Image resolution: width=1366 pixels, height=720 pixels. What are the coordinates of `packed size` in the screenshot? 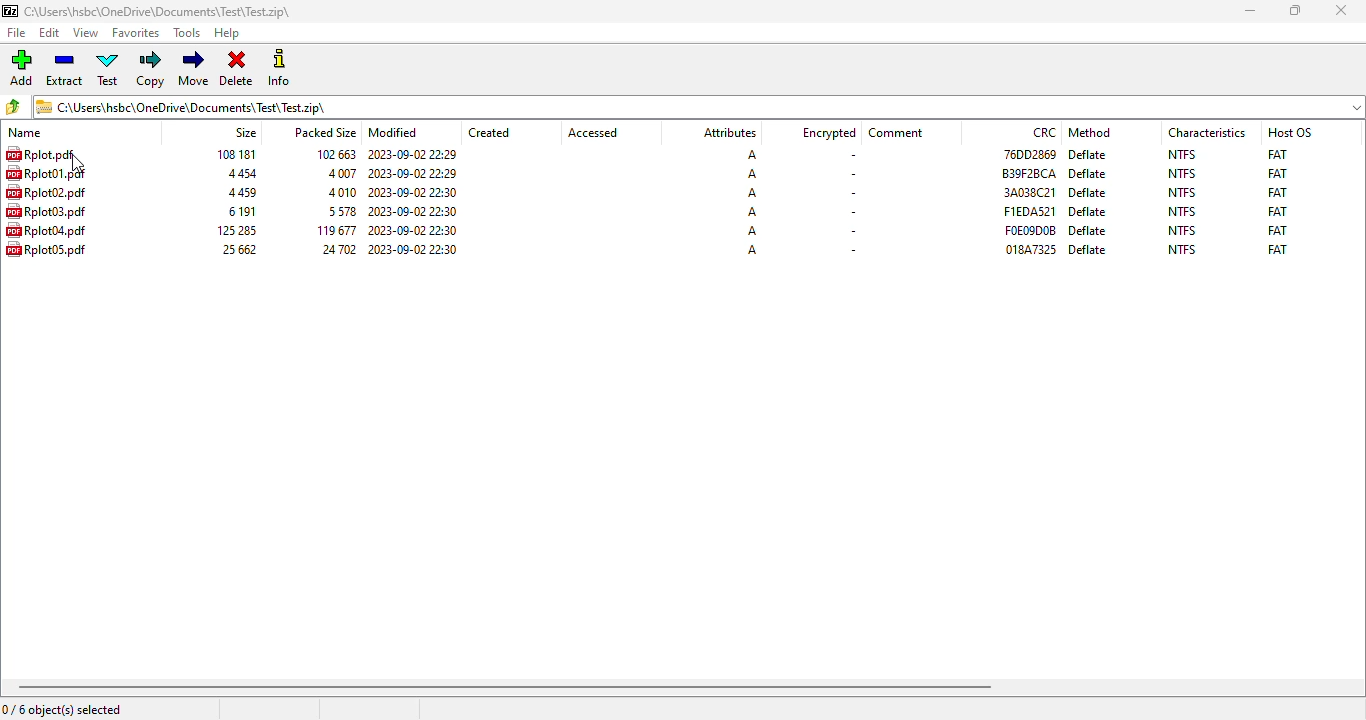 It's located at (332, 153).